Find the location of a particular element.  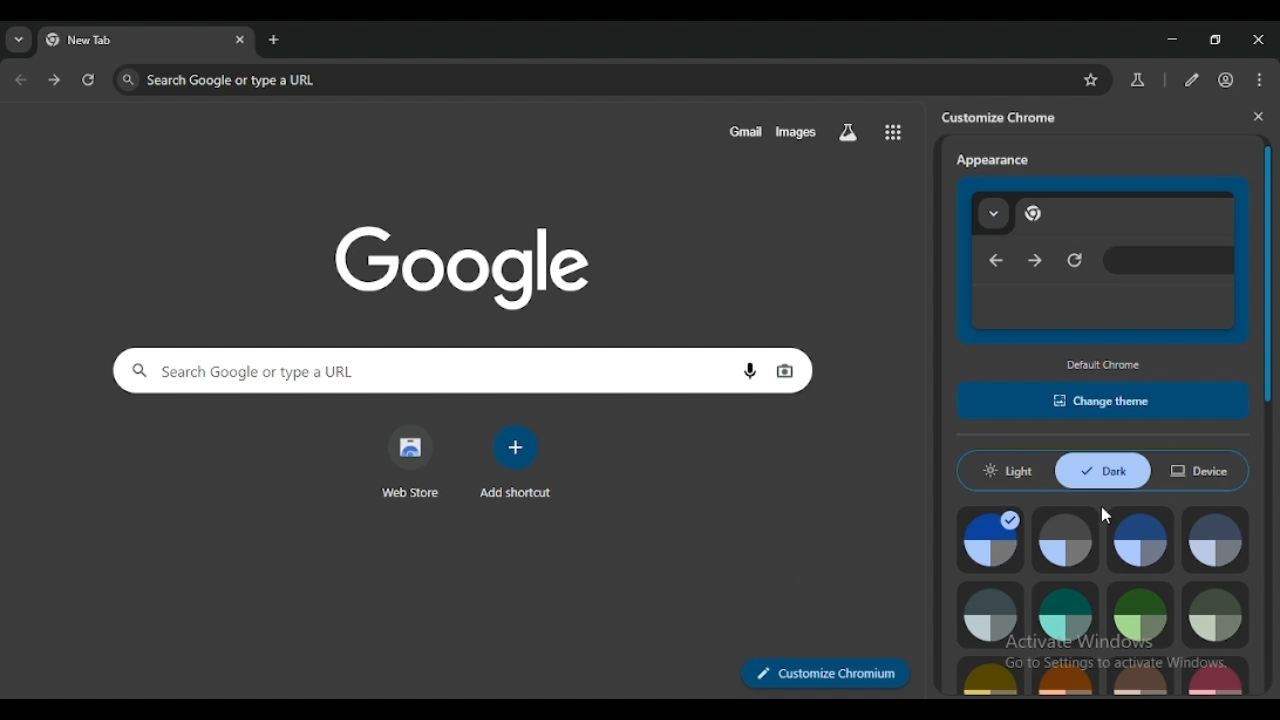

chrome labs is located at coordinates (1139, 80).